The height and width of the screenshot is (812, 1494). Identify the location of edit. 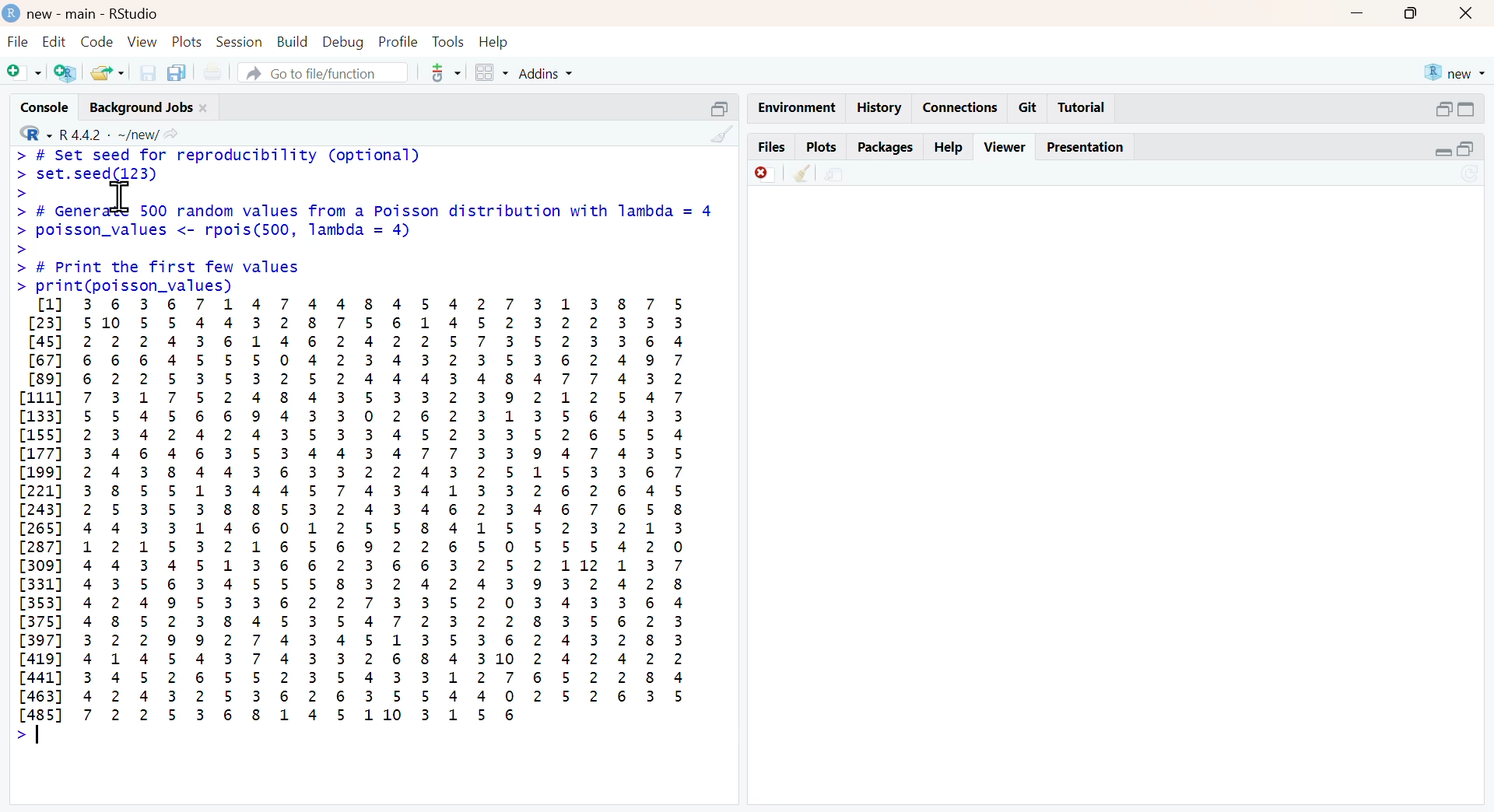
(54, 40).